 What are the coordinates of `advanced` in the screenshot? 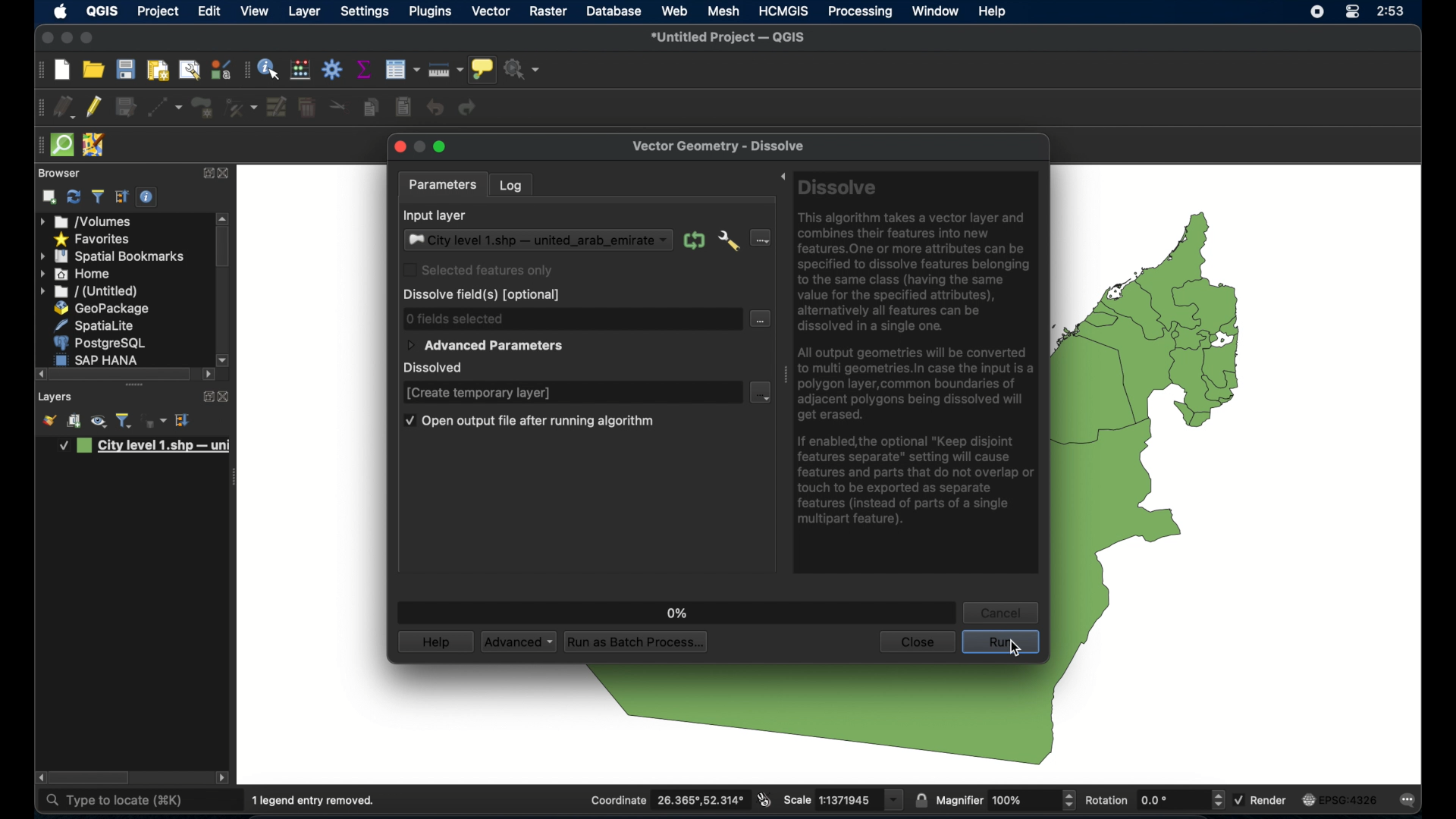 It's located at (519, 641).